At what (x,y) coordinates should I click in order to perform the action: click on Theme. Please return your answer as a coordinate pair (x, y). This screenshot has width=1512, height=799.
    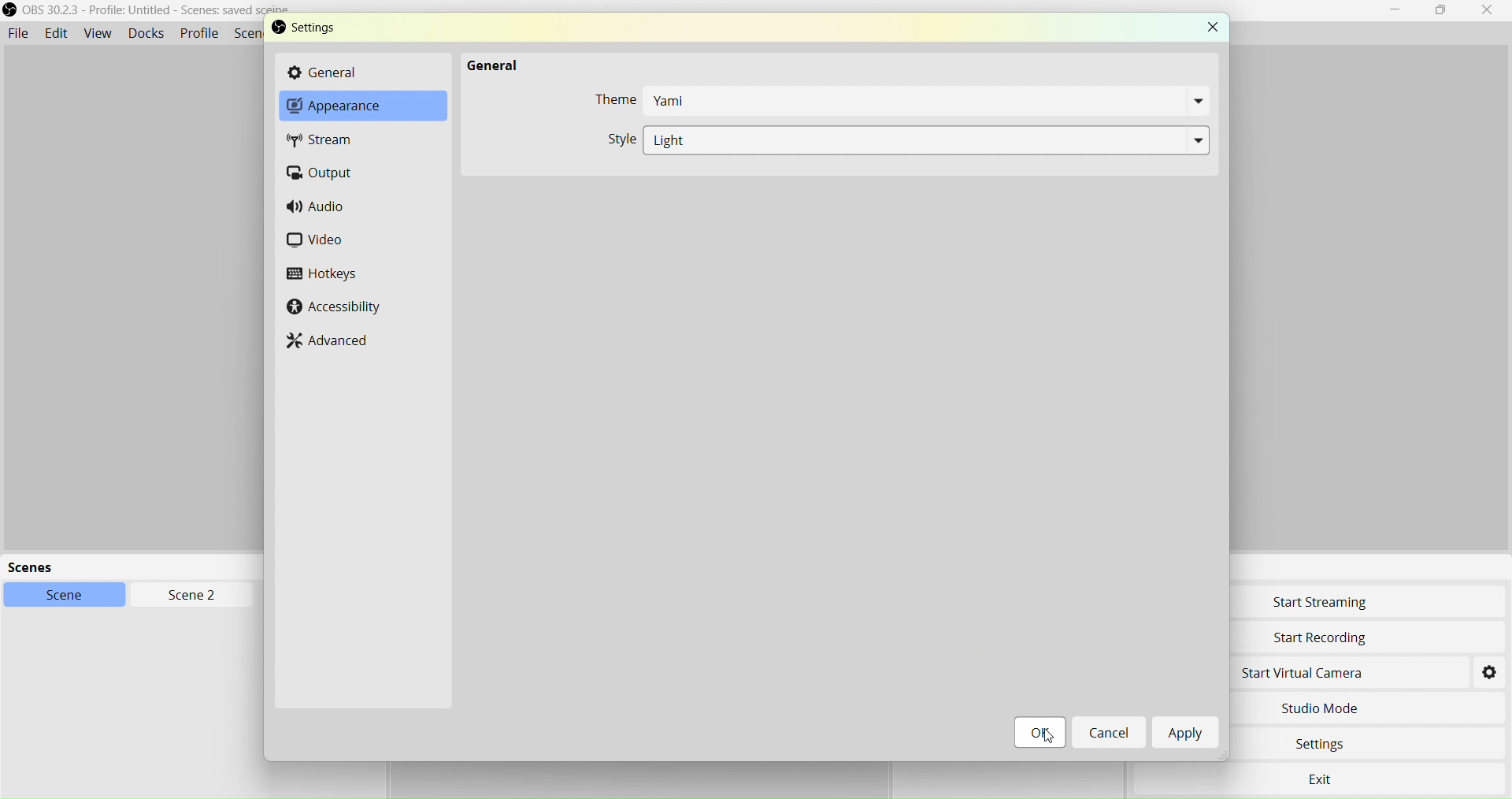
    Looking at the image, I should click on (899, 102).